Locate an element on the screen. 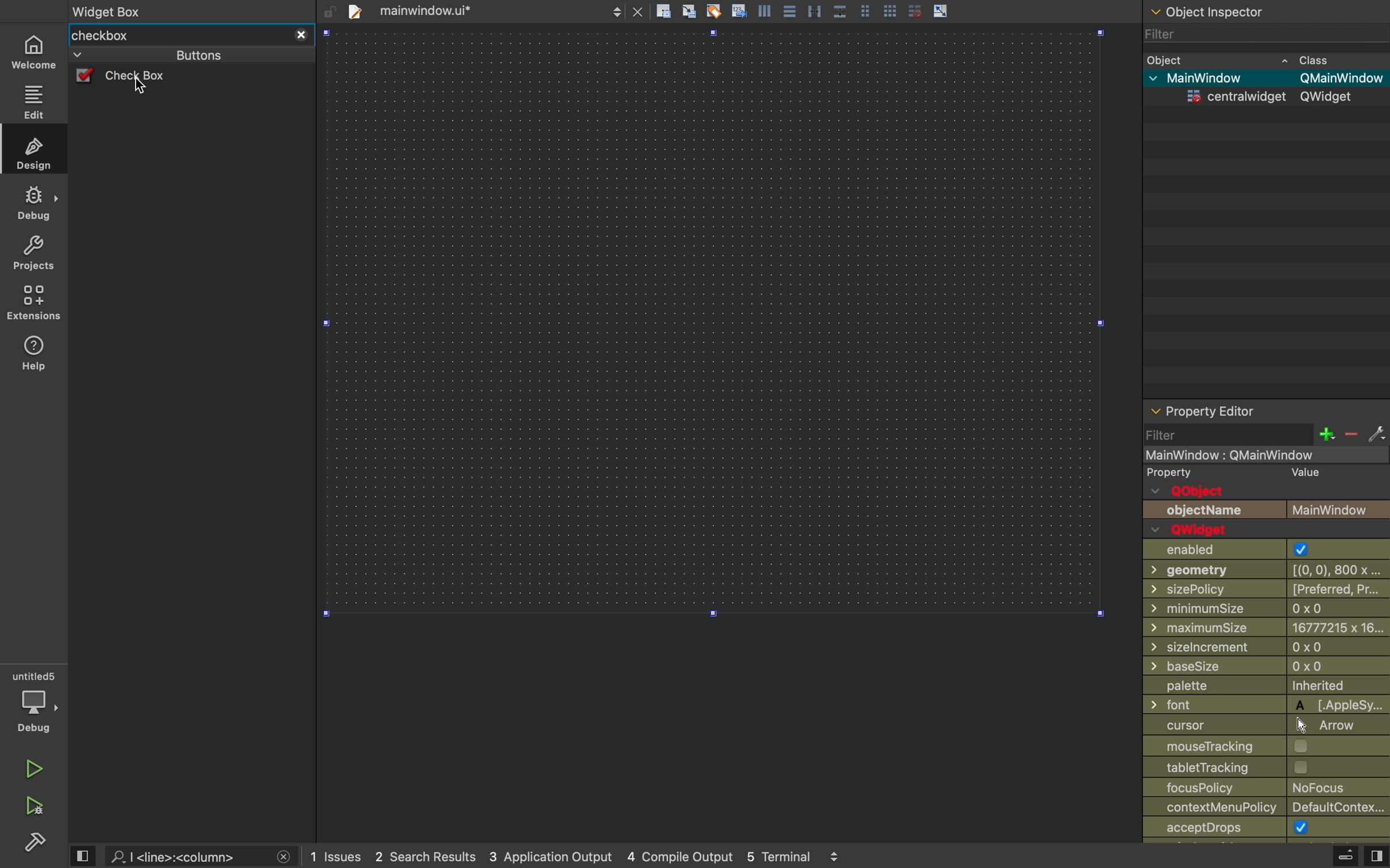  size policy is located at coordinates (1268, 588).